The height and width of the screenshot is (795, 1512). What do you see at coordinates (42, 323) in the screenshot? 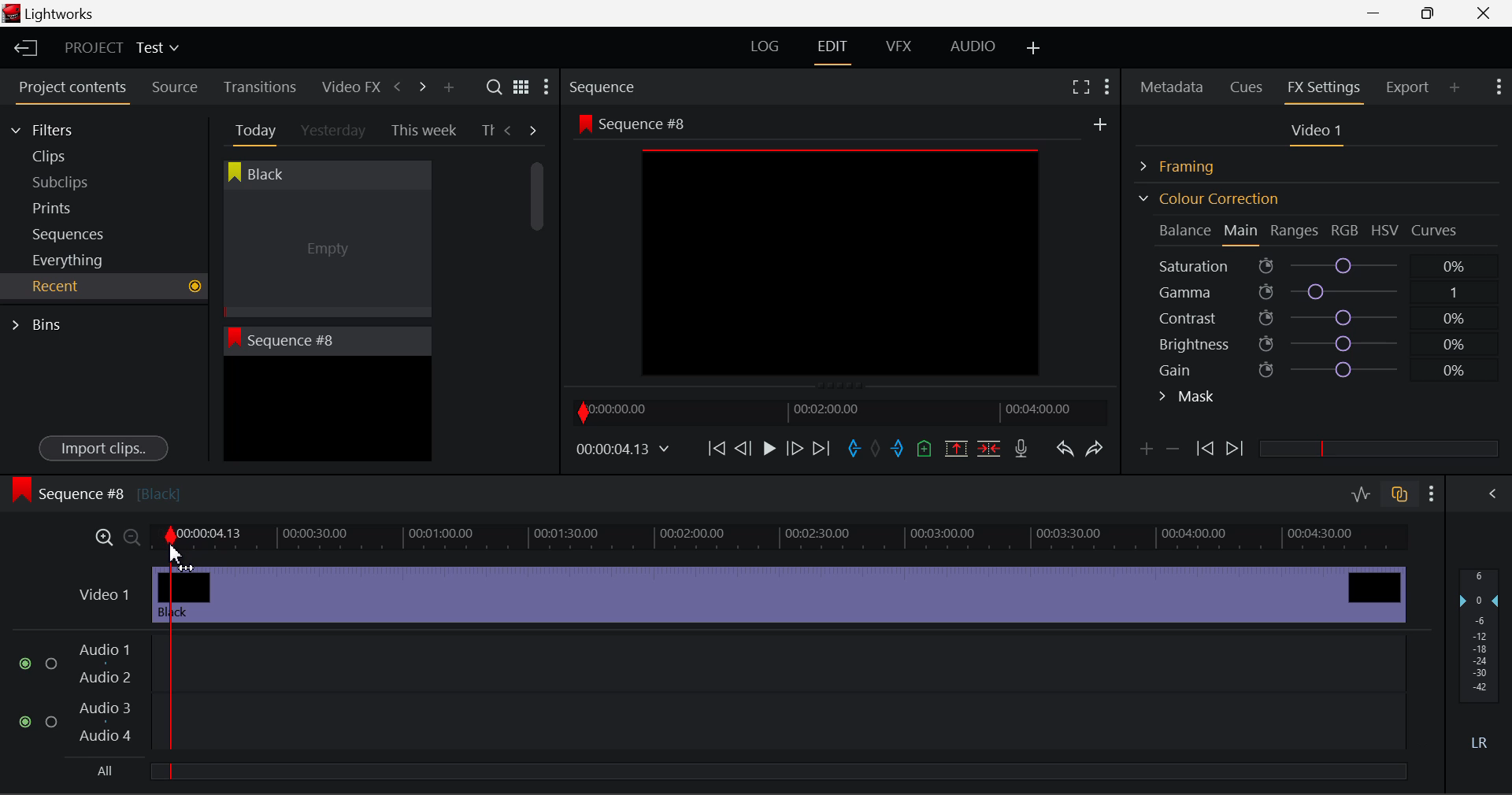
I see `Bins` at bounding box center [42, 323].